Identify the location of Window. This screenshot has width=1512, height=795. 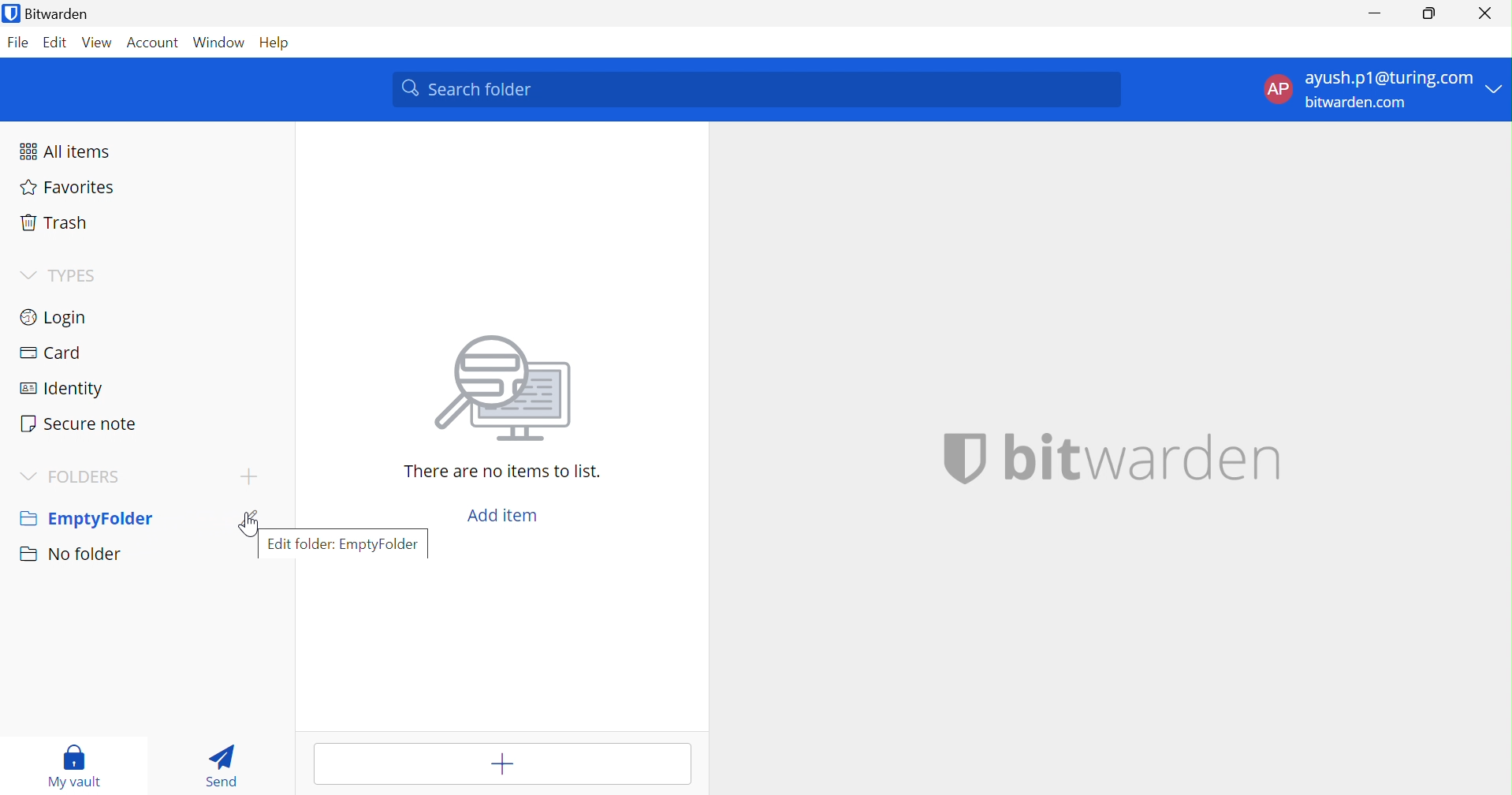
(220, 43).